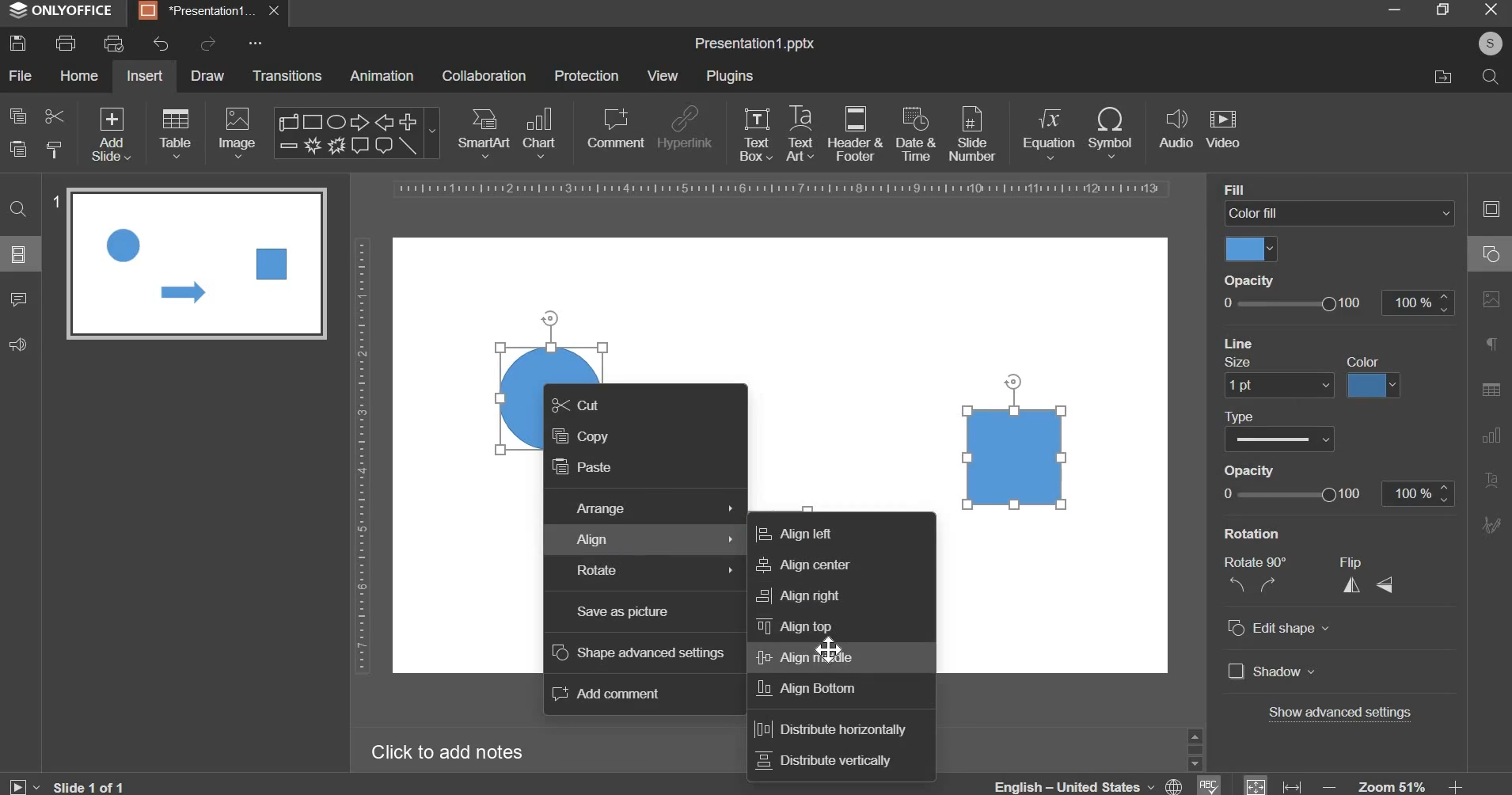  I want to click on exit, so click(1491, 8).